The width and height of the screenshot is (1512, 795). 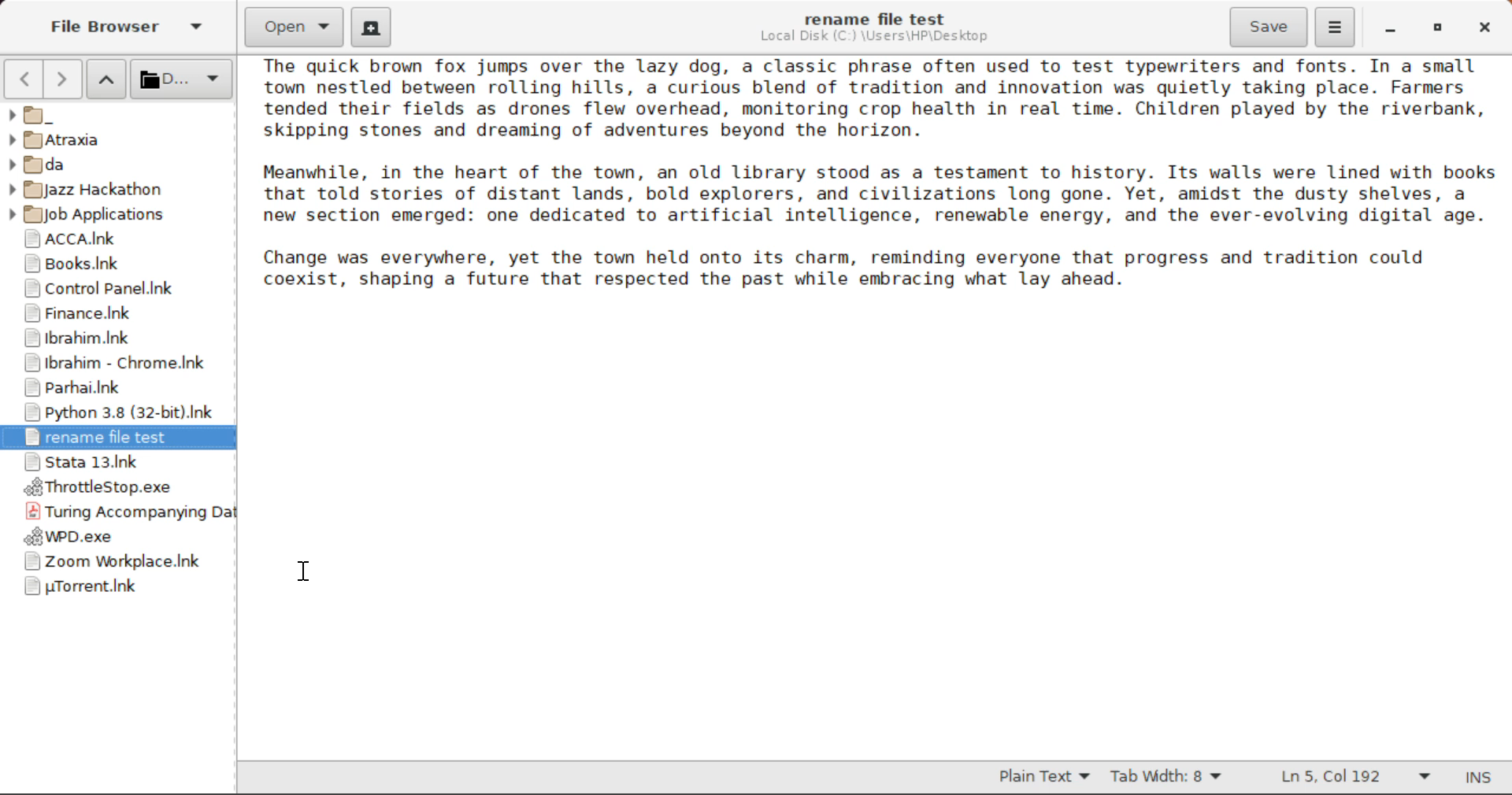 What do you see at coordinates (880, 201) in the screenshot?
I see `Sample text about a town.` at bounding box center [880, 201].